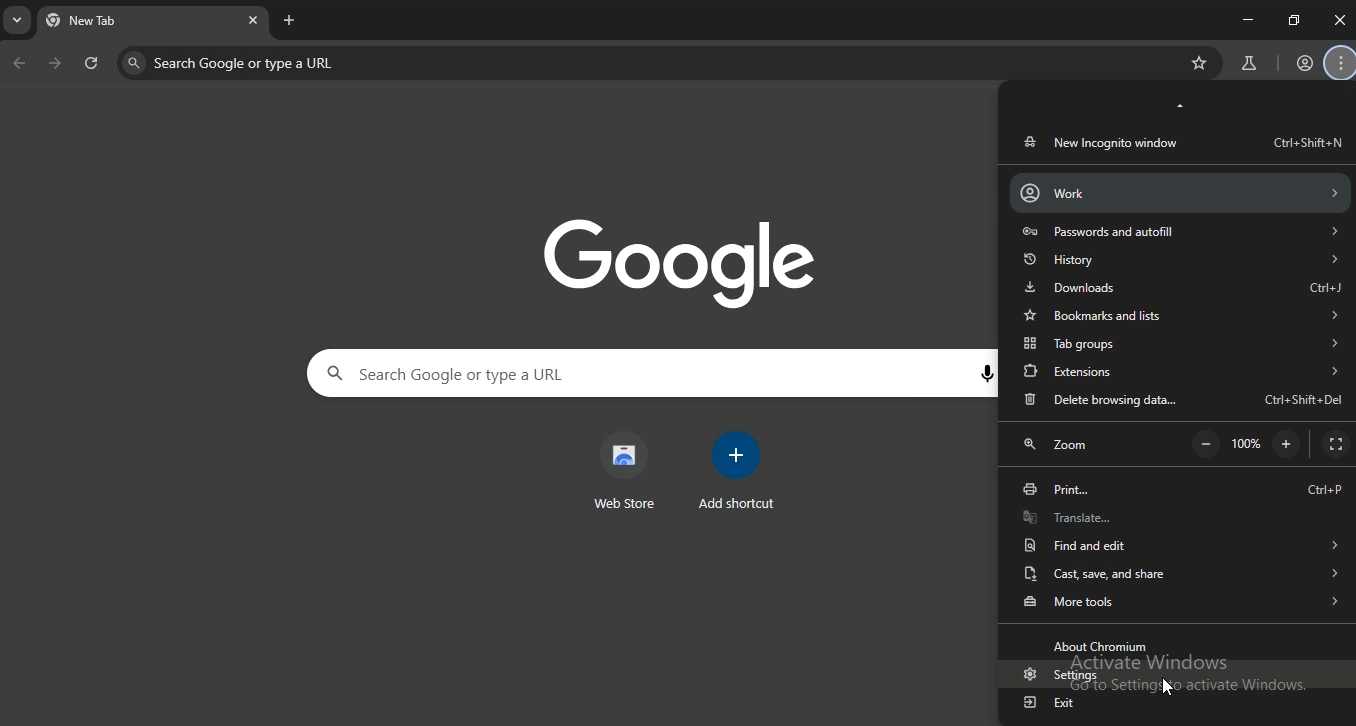 The image size is (1356, 726). Describe the element at coordinates (253, 19) in the screenshot. I see `close` at that location.